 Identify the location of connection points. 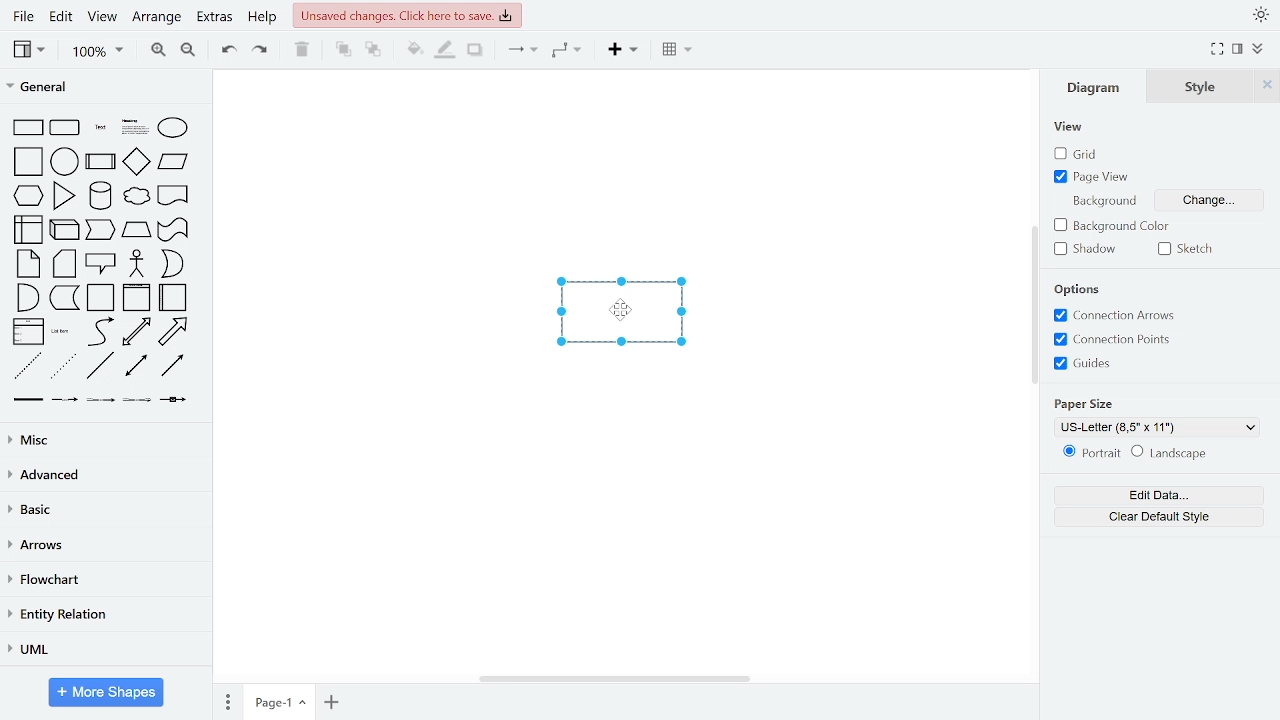
(1110, 339).